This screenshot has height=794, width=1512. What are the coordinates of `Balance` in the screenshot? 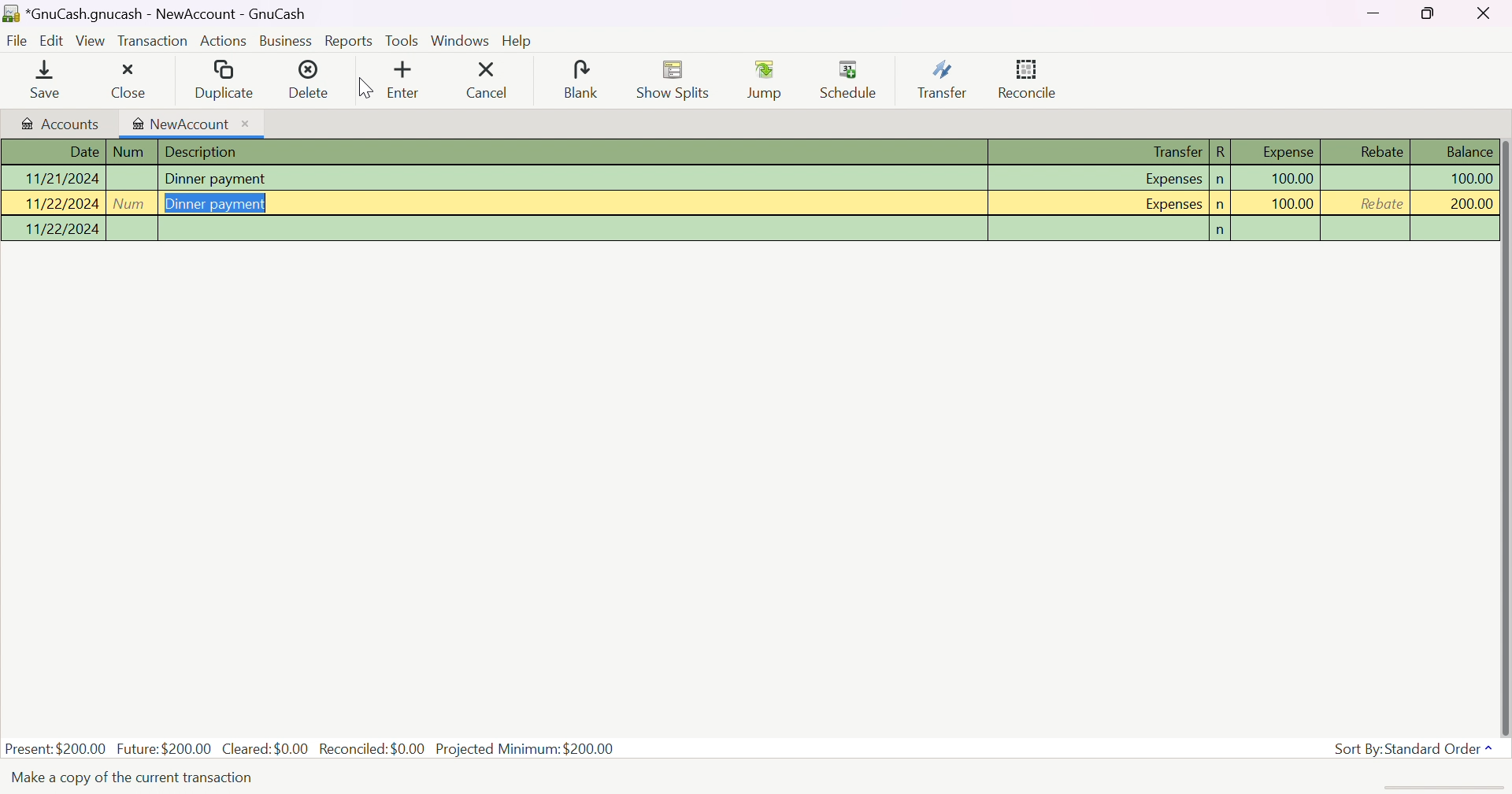 It's located at (1470, 151).